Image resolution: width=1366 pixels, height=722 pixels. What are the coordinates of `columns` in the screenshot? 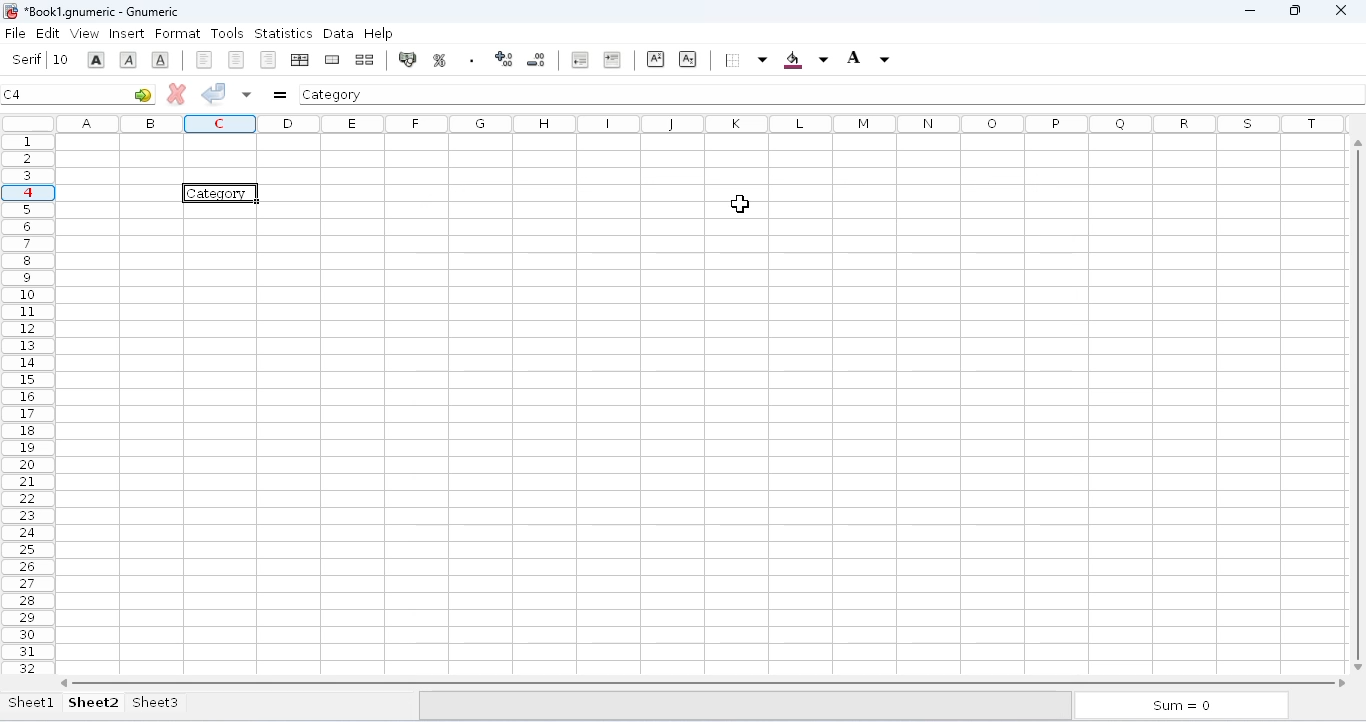 It's located at (705, 123).